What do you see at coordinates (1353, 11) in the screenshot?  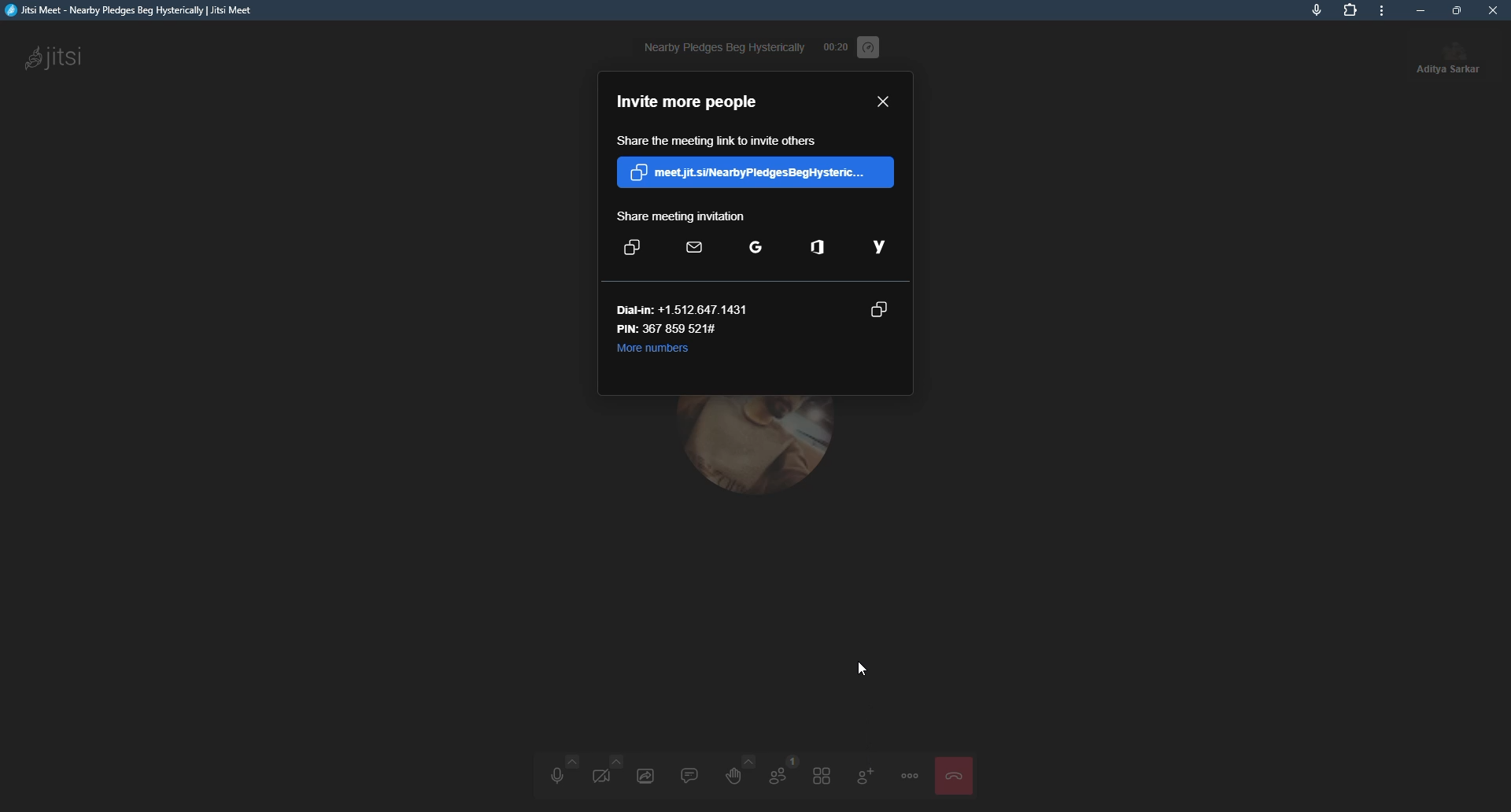 I see `extensions` at bounding box center [1353, 11].